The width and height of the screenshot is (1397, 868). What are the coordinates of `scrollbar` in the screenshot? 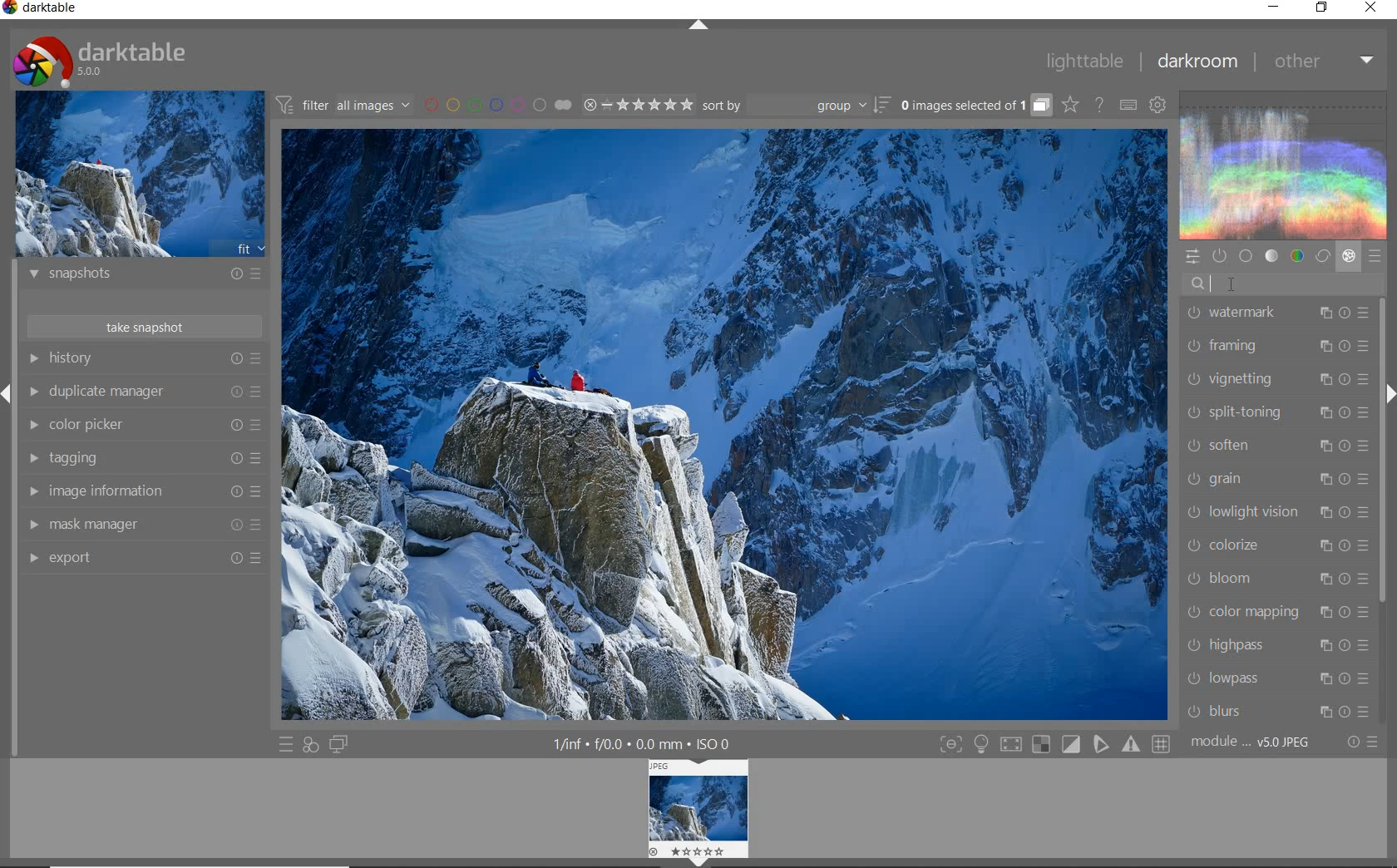 It's located at (1383, 448).